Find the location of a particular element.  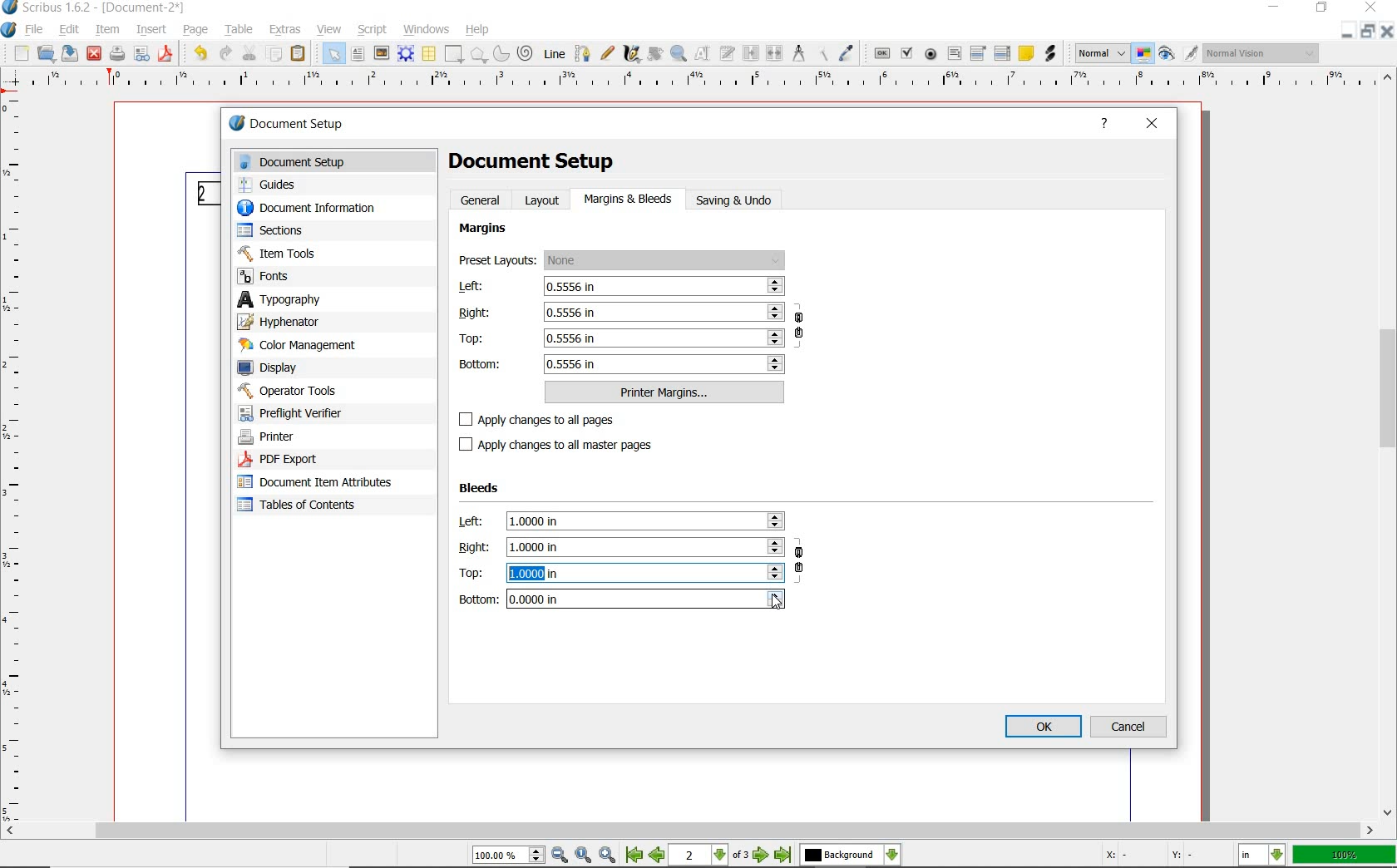

Close is located at coordinates (1346, 31).